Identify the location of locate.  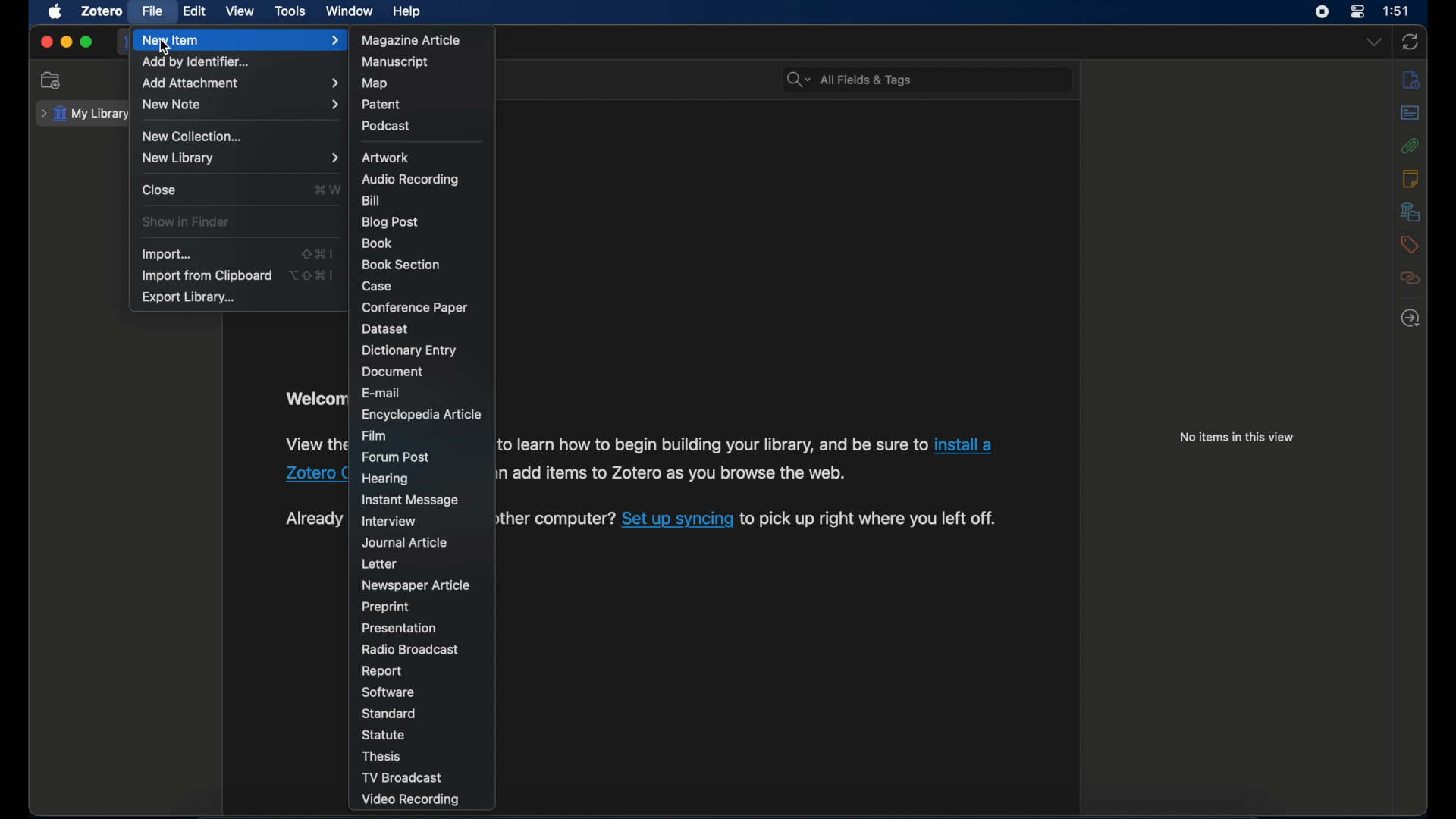
(1410, 318).